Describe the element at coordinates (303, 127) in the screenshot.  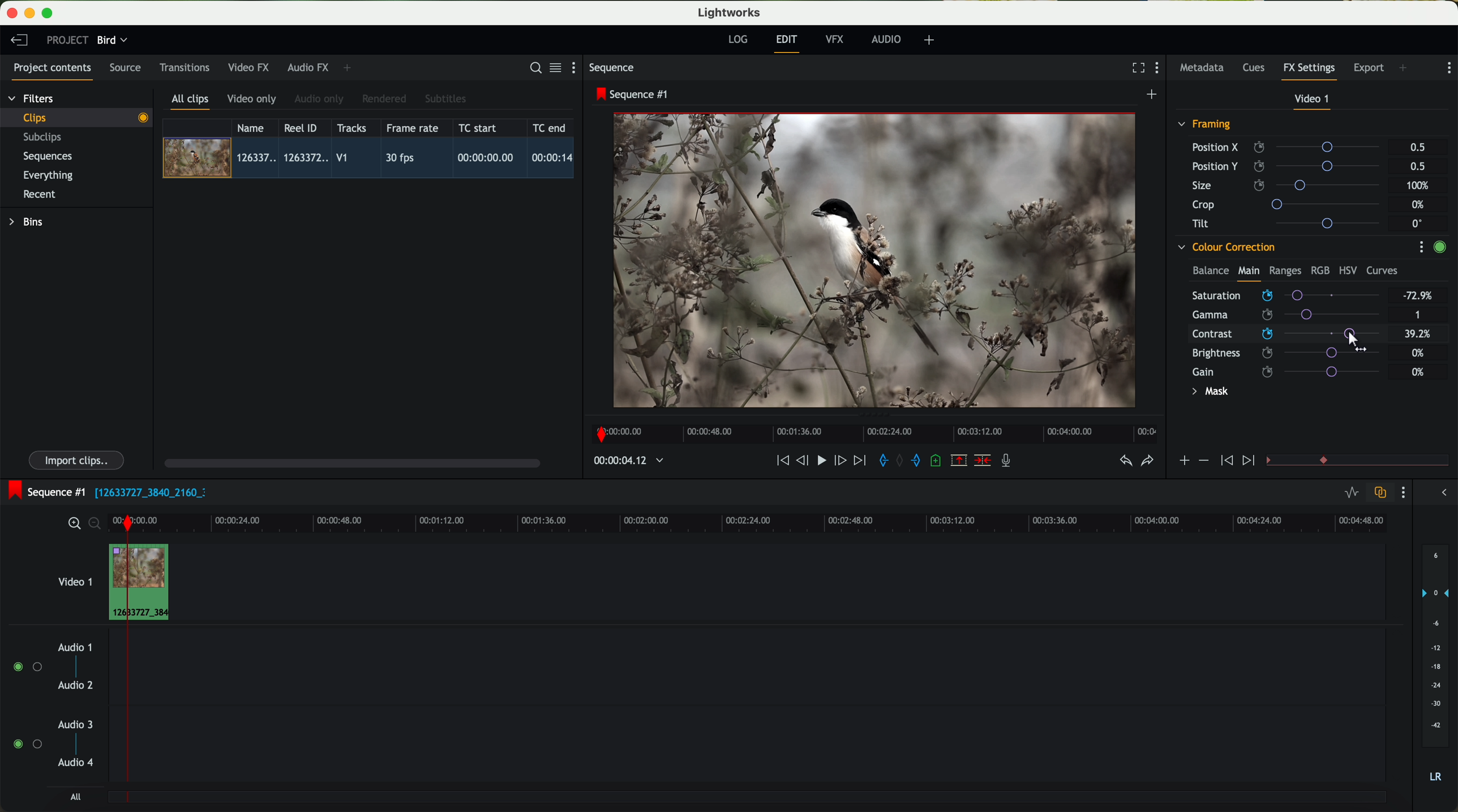
I see `Reel ID` at that location.